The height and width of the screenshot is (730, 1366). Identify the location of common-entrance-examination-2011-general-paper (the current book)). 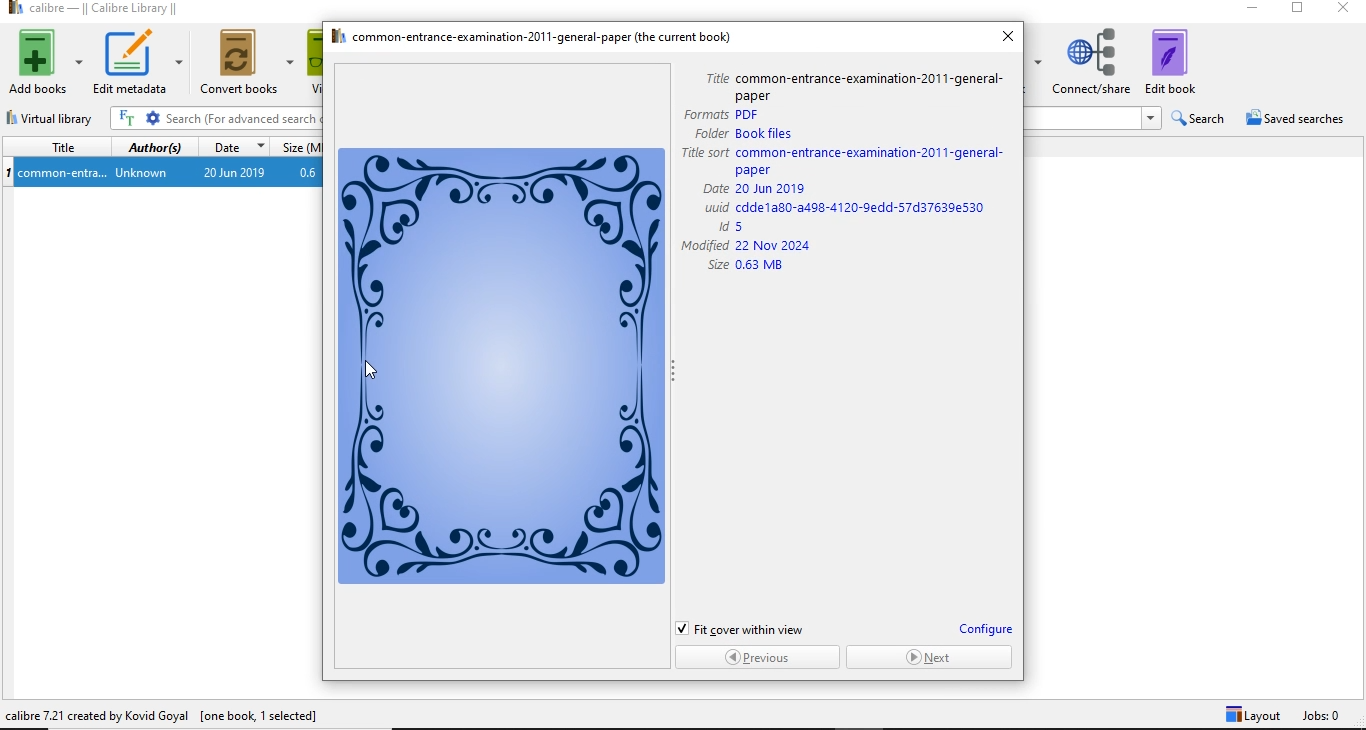
(532, 36).